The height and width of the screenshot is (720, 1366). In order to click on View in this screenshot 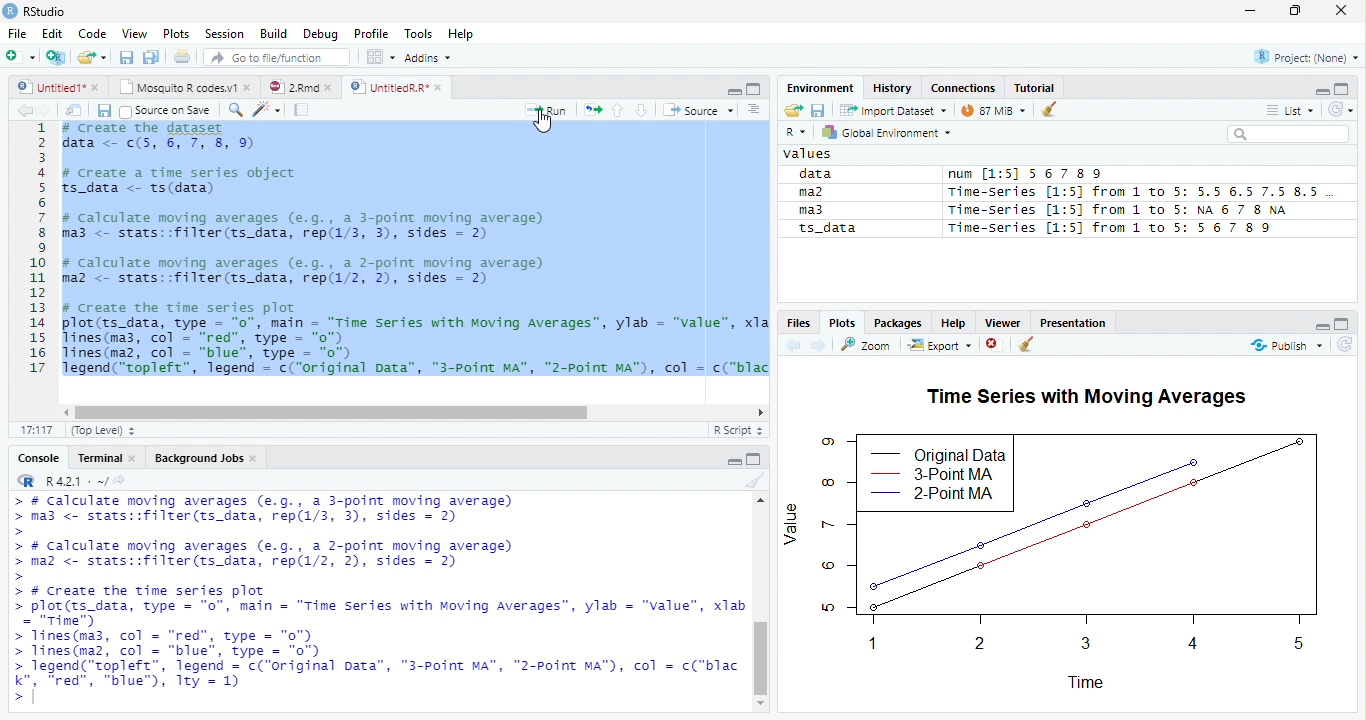, I will do `click(133, 33)`.